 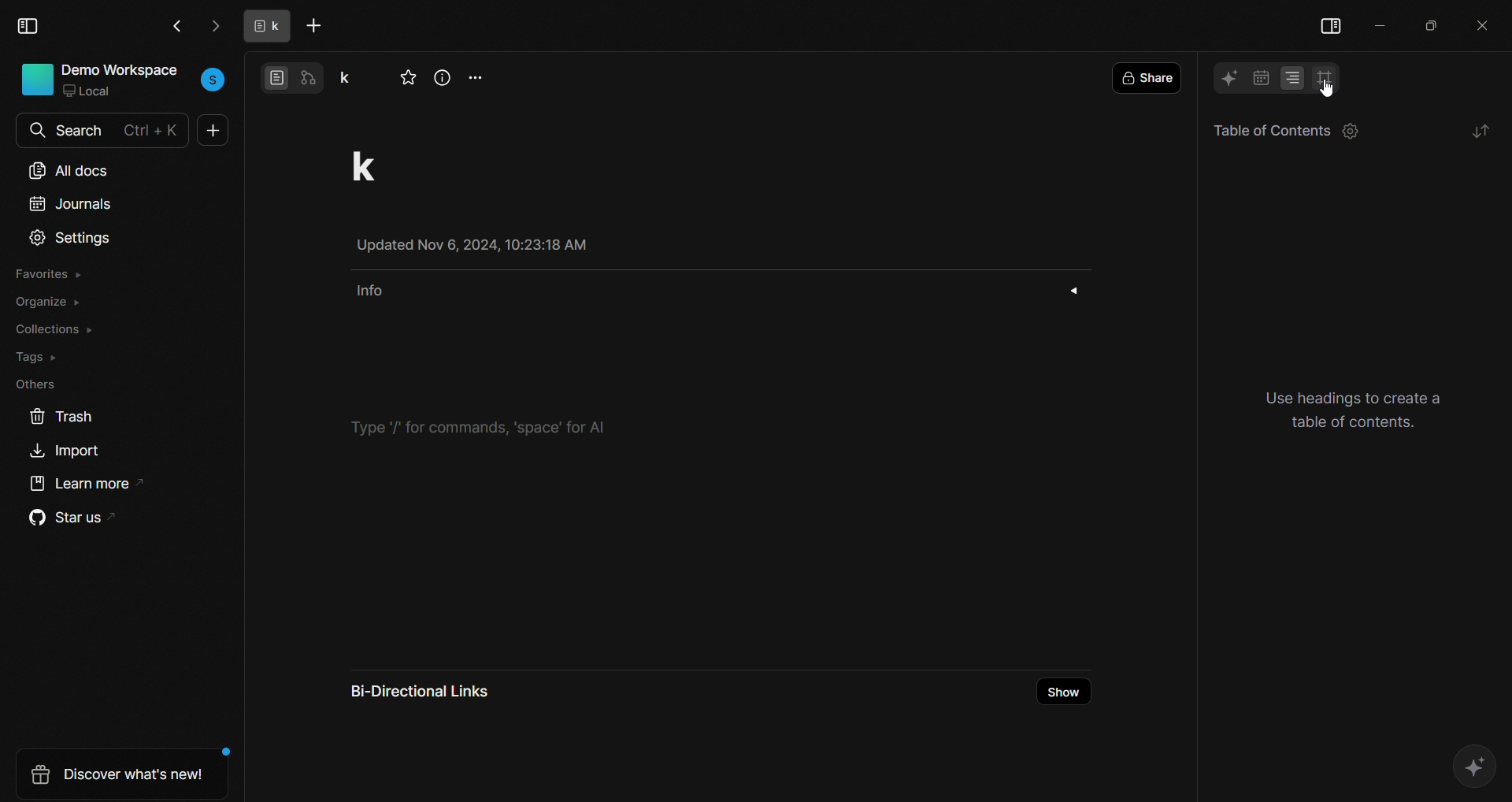 What do you see at coordinates (409, 79) in the screenshot?
I see `favorite` at bounding box center [409, 79].